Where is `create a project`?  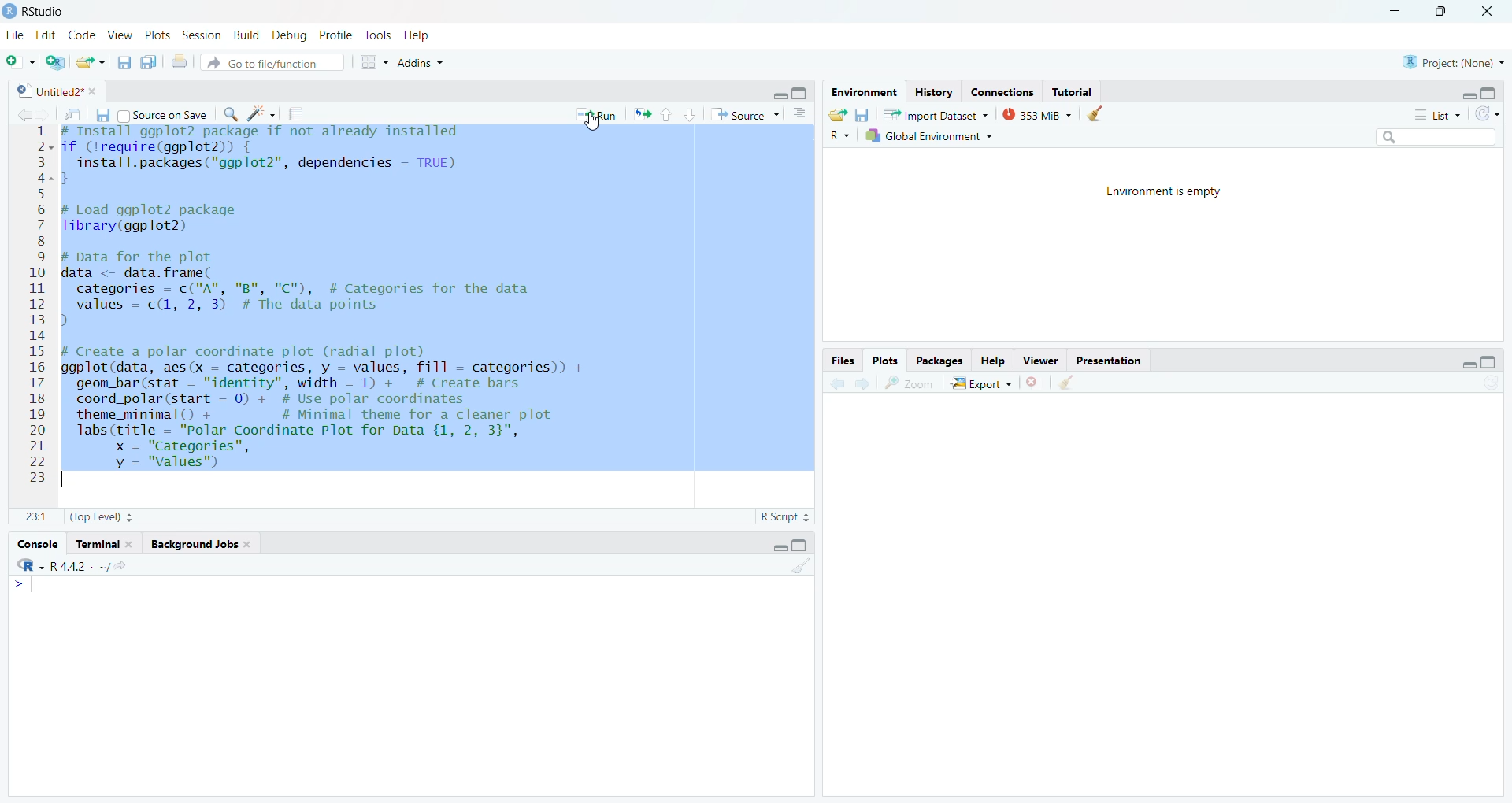 create a project is located at coordinates (56, 63).